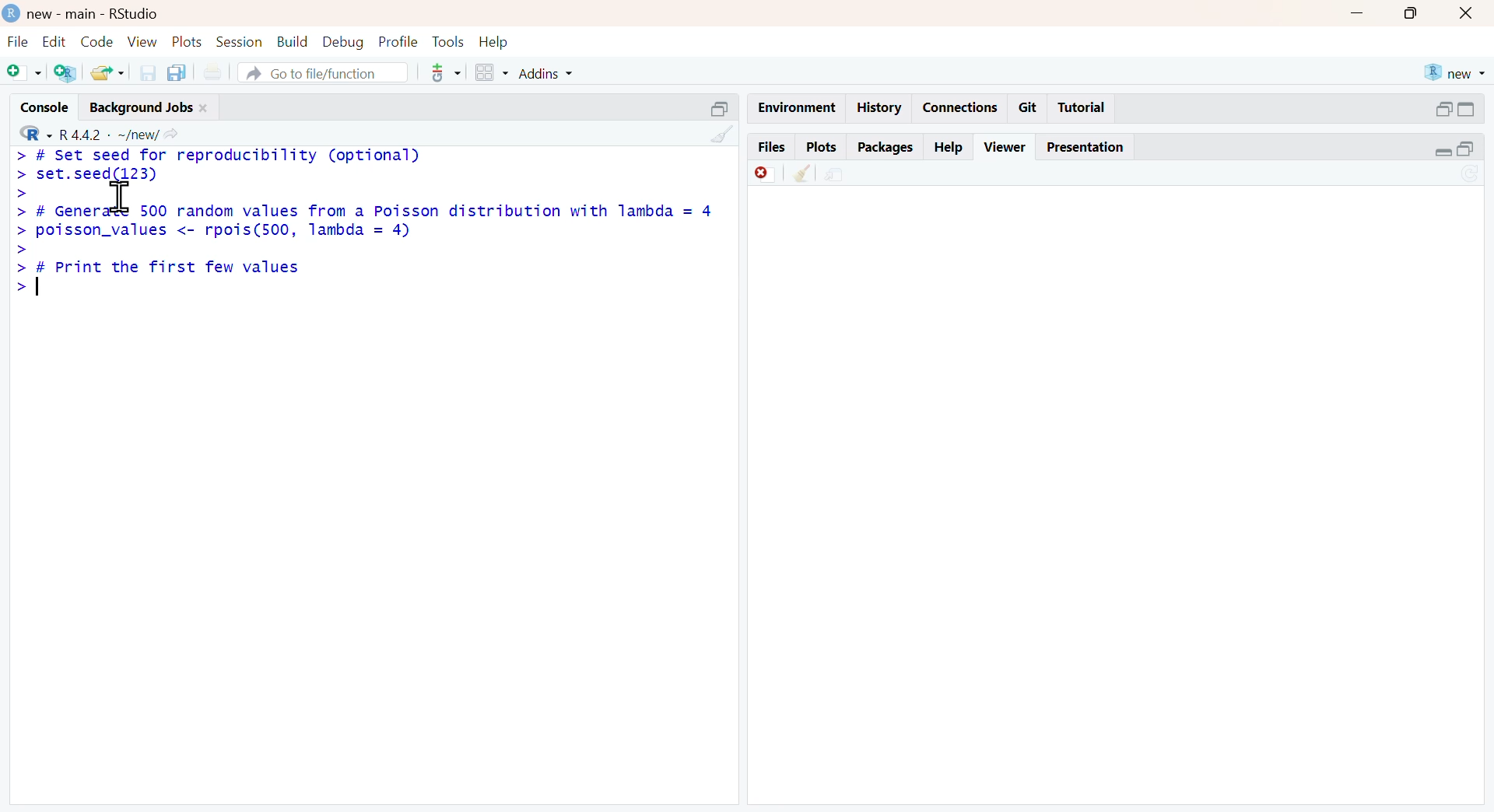 The height and width of the screenshot is (812, 1494). I want to click on >>>>>>, so click(20, 242).